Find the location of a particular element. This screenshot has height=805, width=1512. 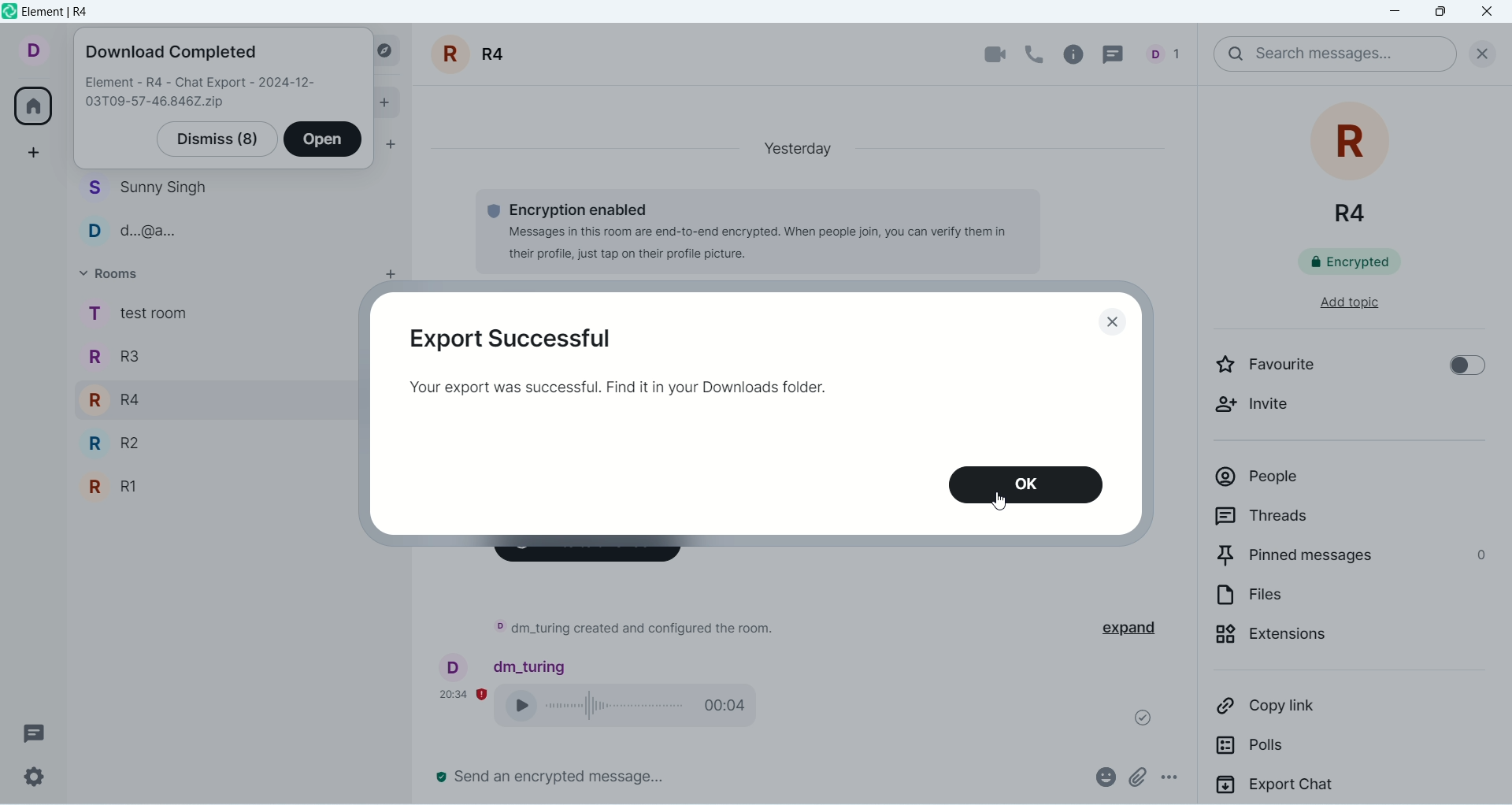

export successful is located at coordinates (509, 338).